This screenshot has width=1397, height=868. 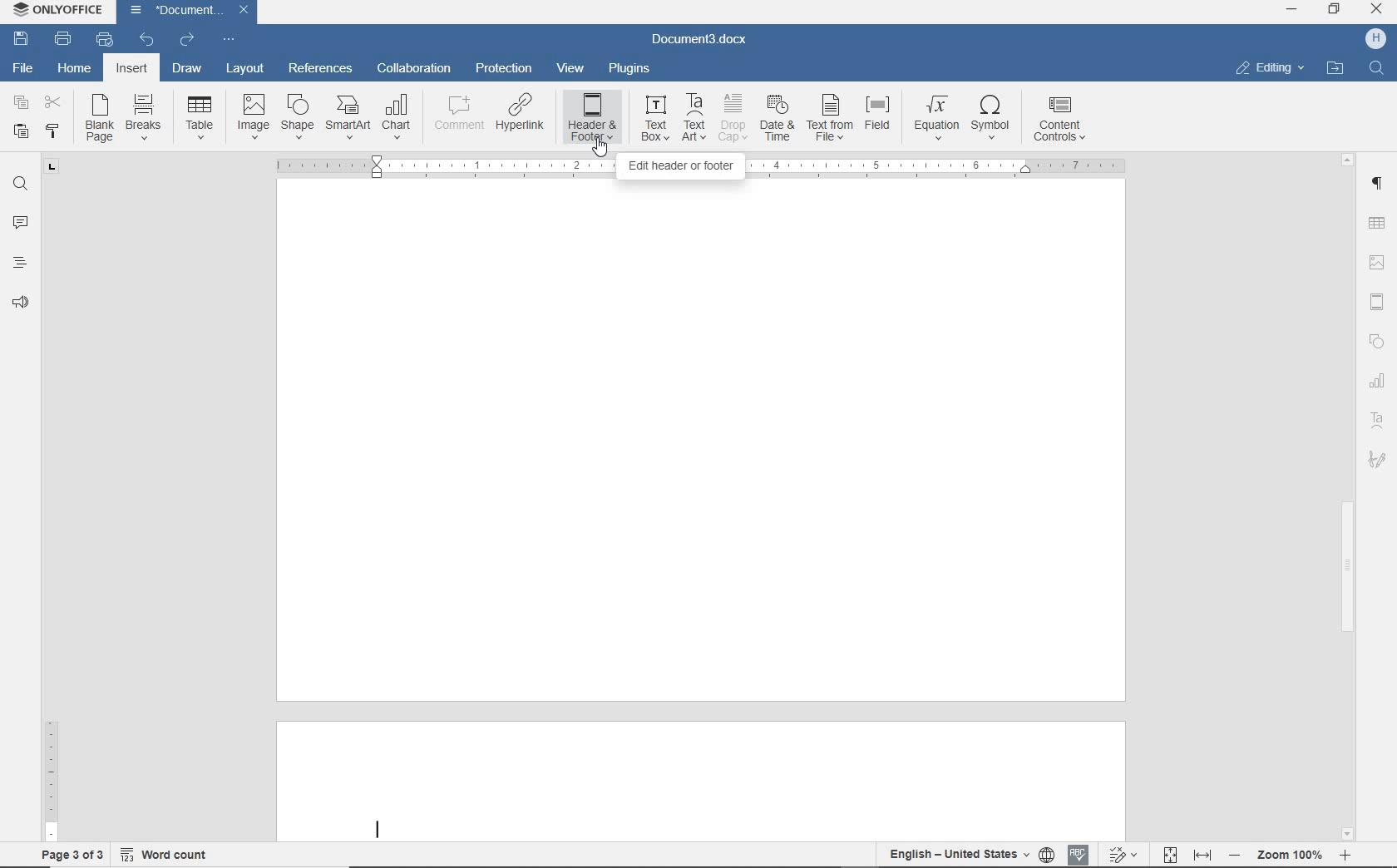 I want to click on OPEN FILE LOCATION, so click(x=1336, y=70).